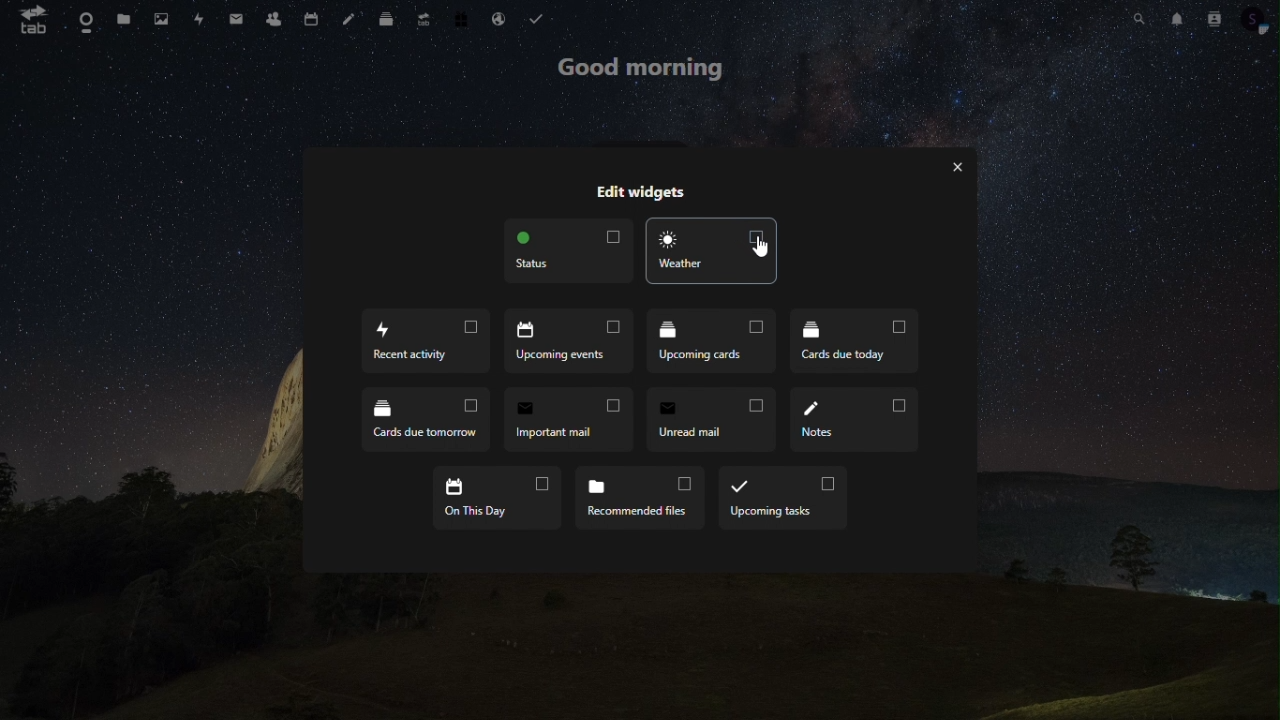  I want to click on mail hosting, so click(500, 21).